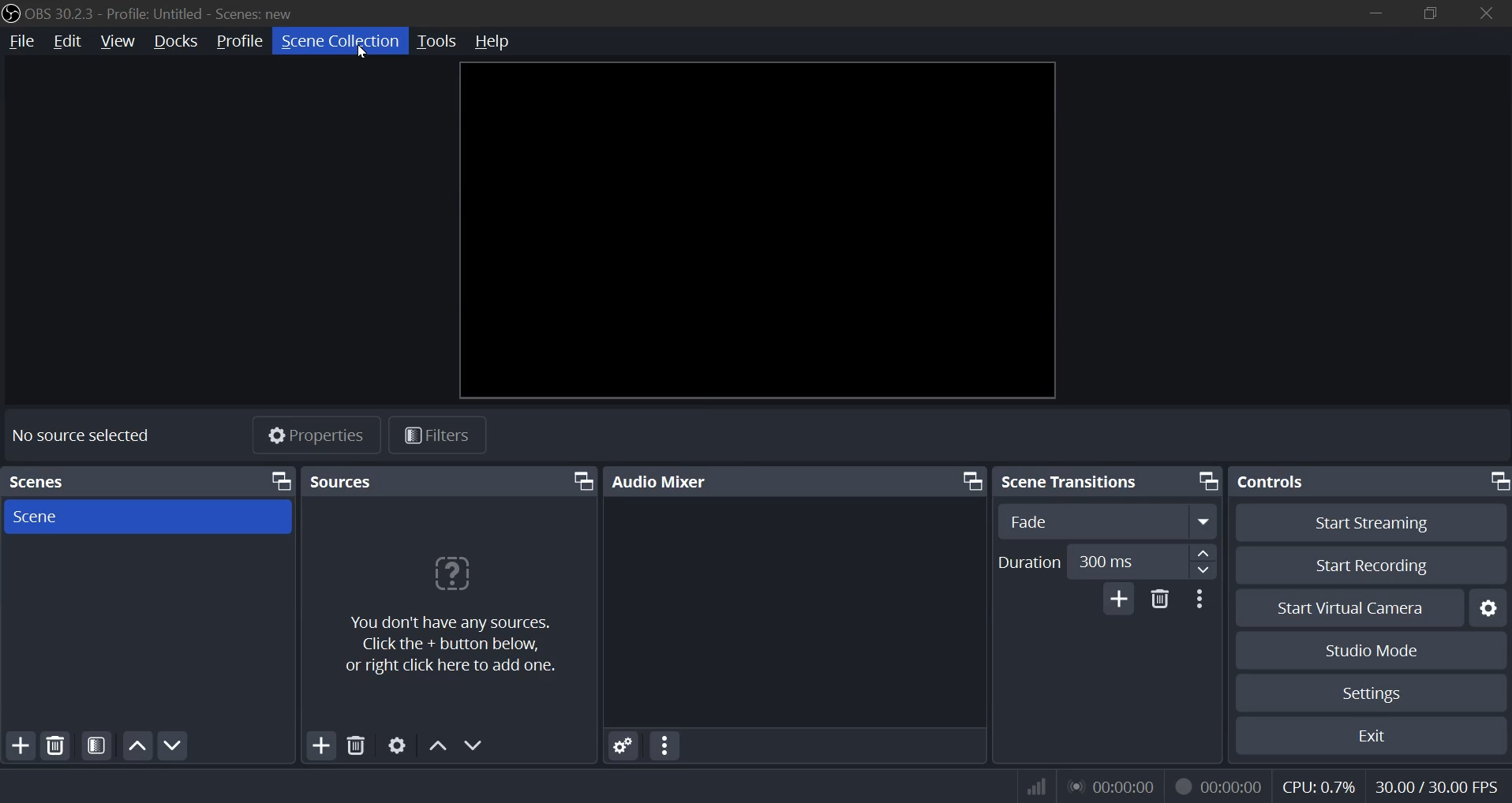  Describe the element at coordinates (1218, 785) in the screenshot. I see `record streamed` at that location.